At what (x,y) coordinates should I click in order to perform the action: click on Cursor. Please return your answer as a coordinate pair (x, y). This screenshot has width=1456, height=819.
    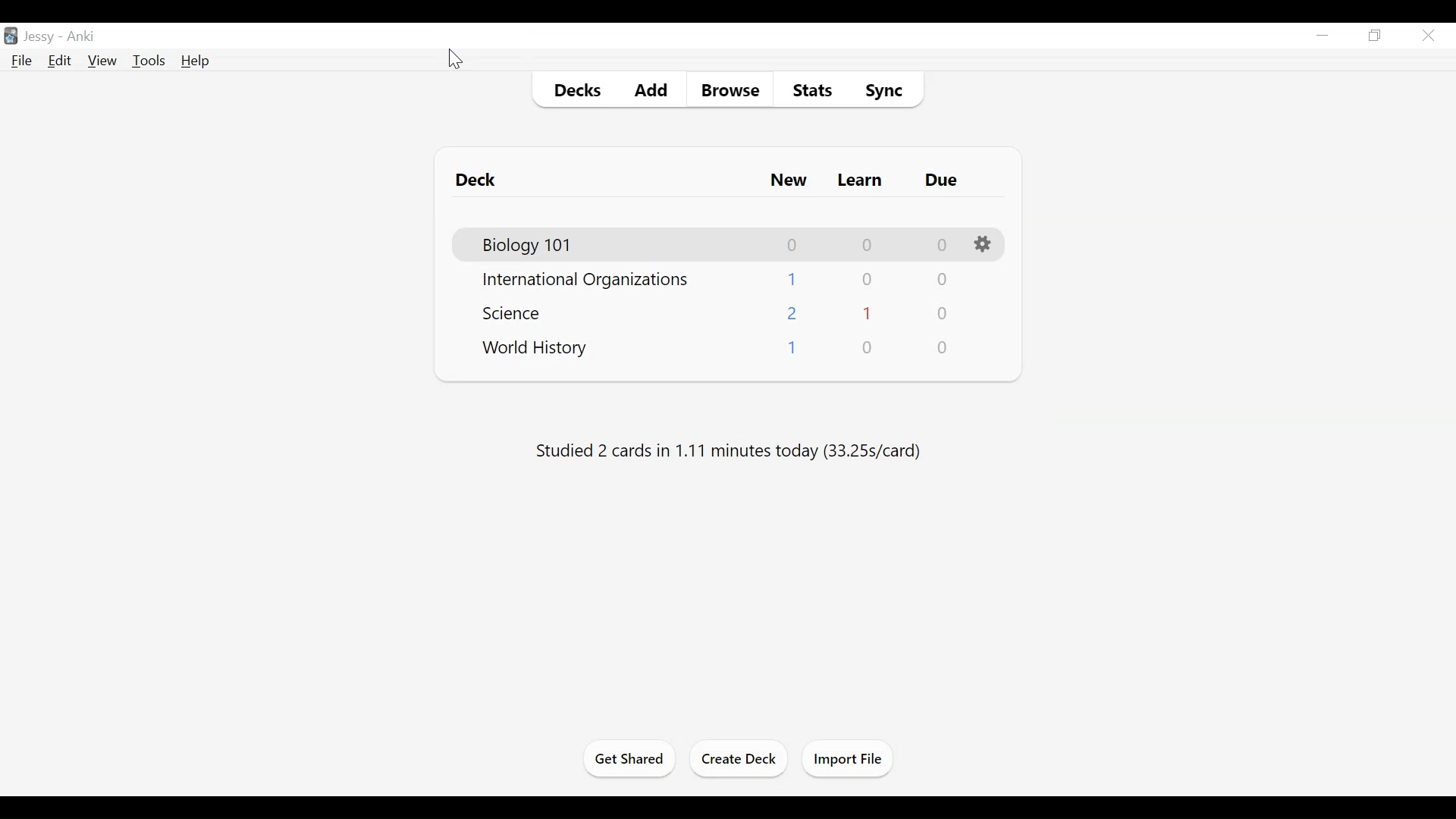
    Looking at the image, I should click on (454, 58).